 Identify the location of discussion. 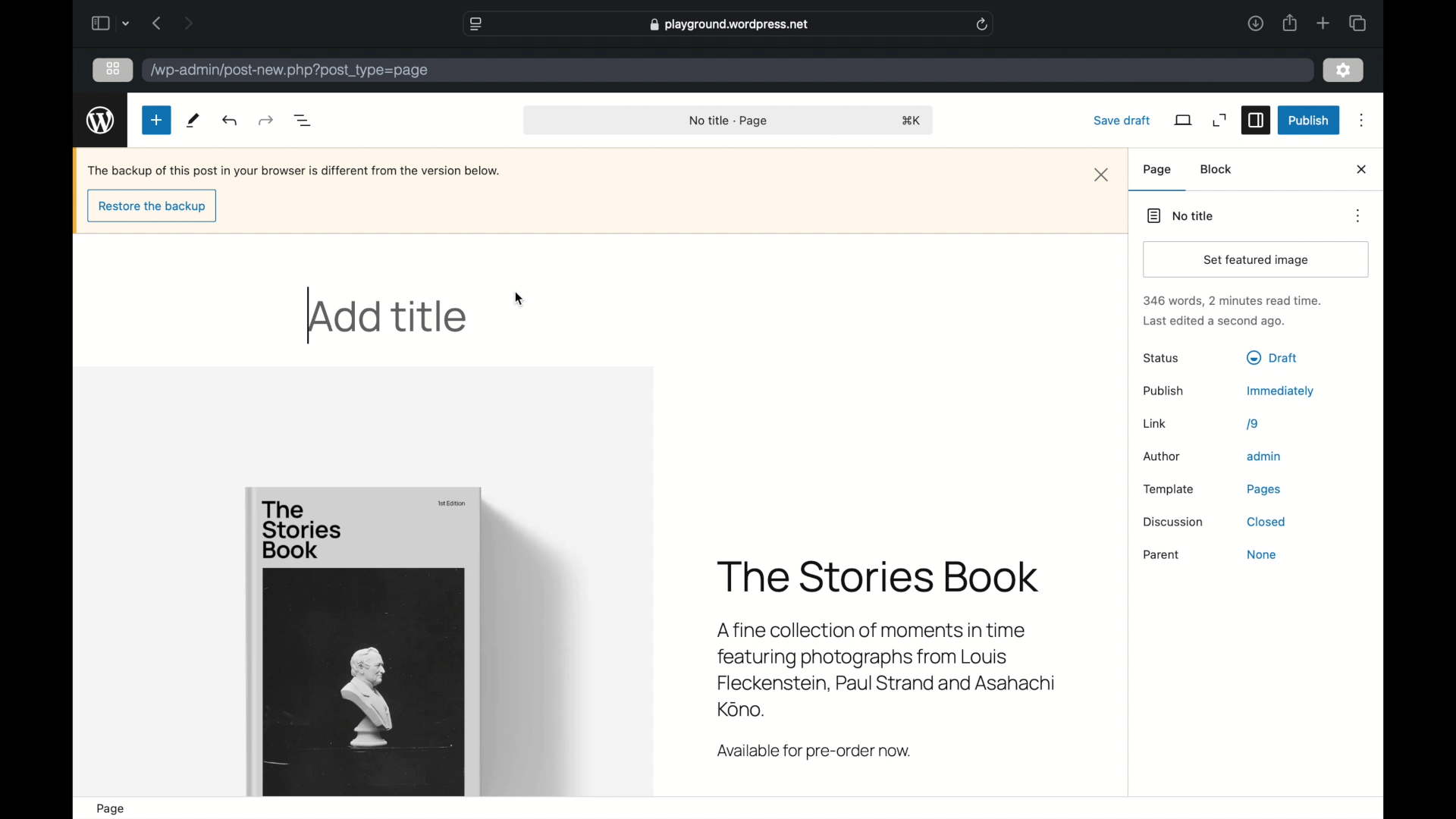
(1173, 522).